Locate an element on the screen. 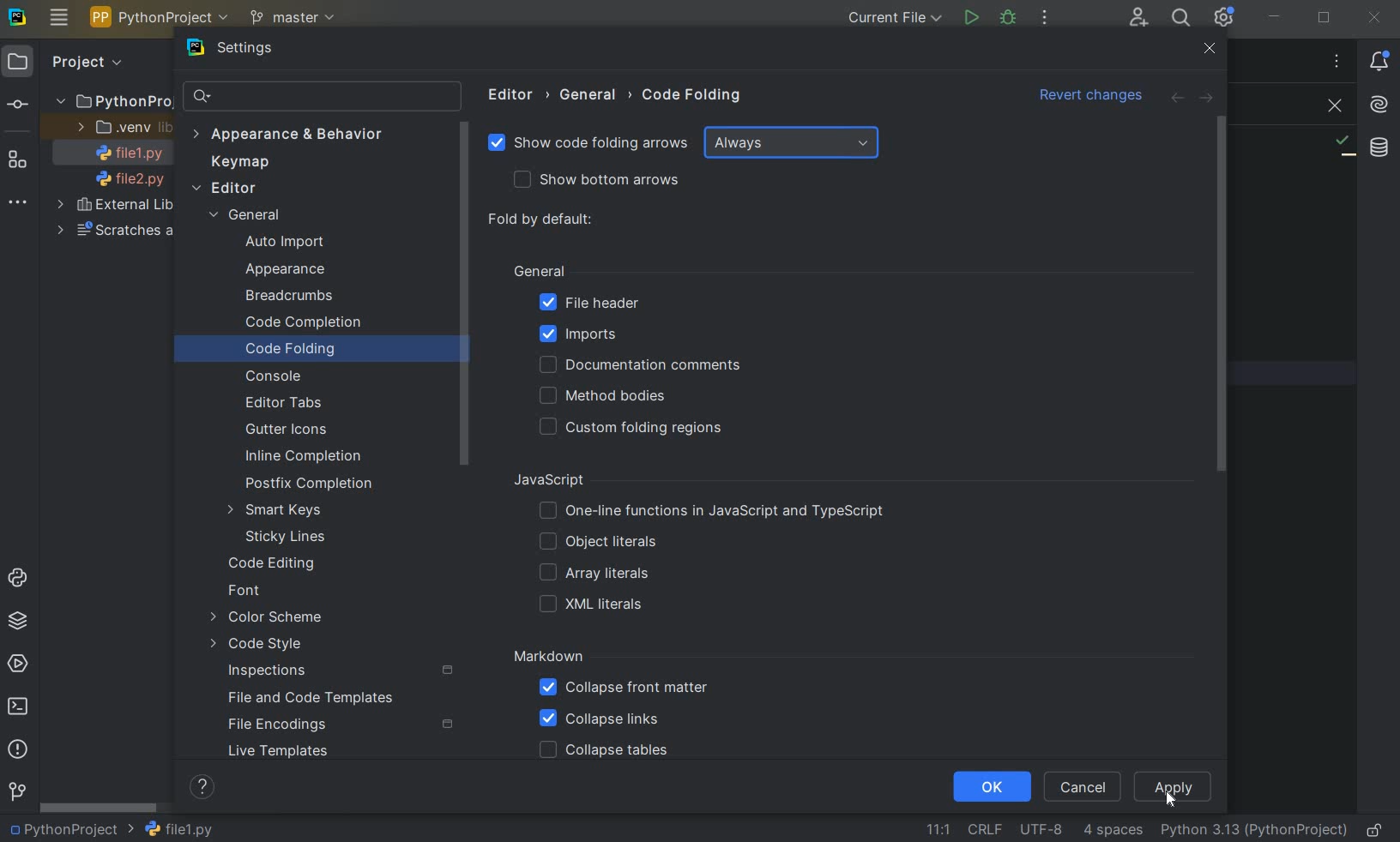 Image resolution: width=1400 pixels, height=842 pixels. BREADCRUMBS is located at coordinates (306, 297).